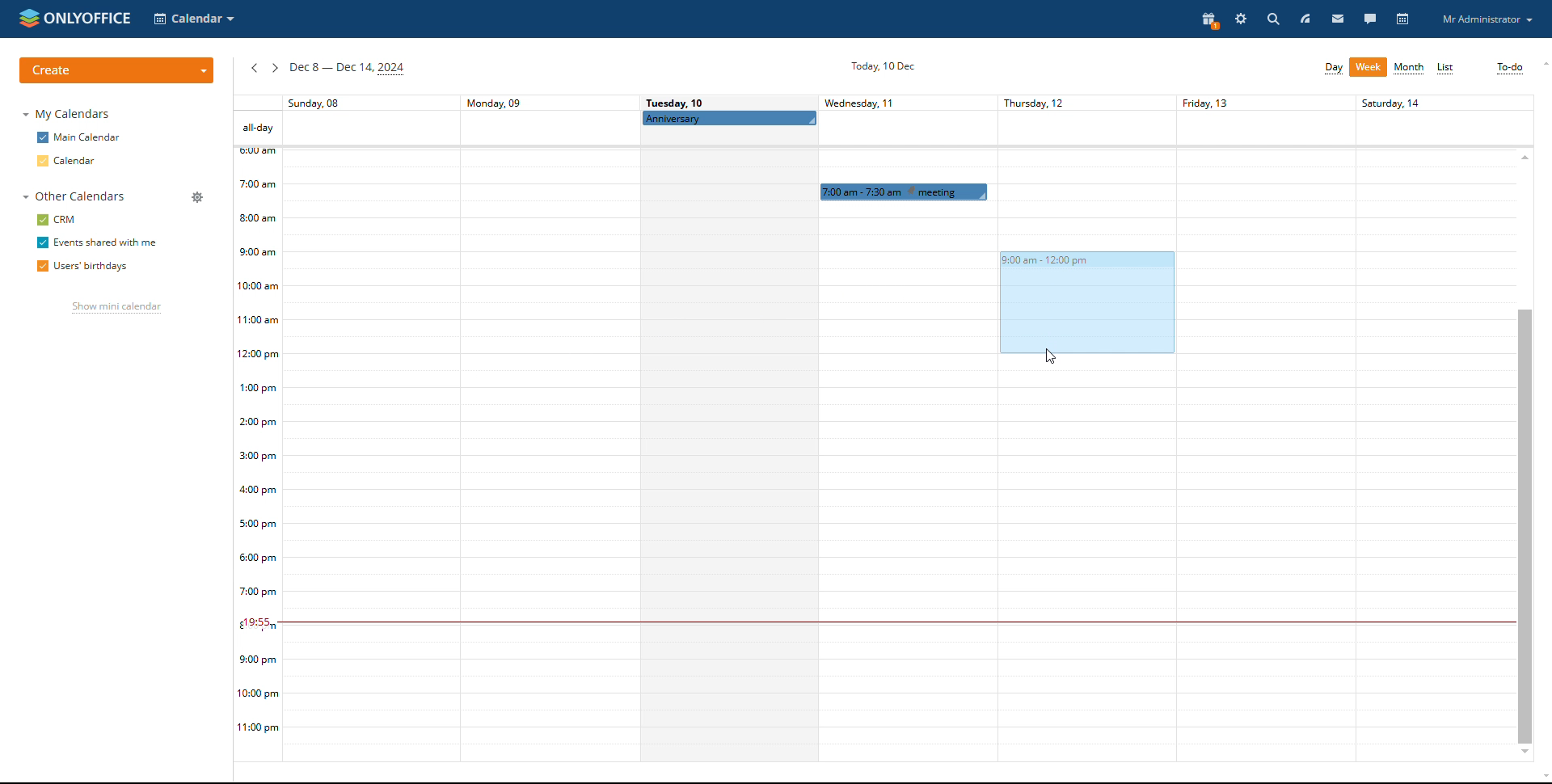 This screenshot has height=784, width=1552. I want to click on main calendar, so click(90, 138).